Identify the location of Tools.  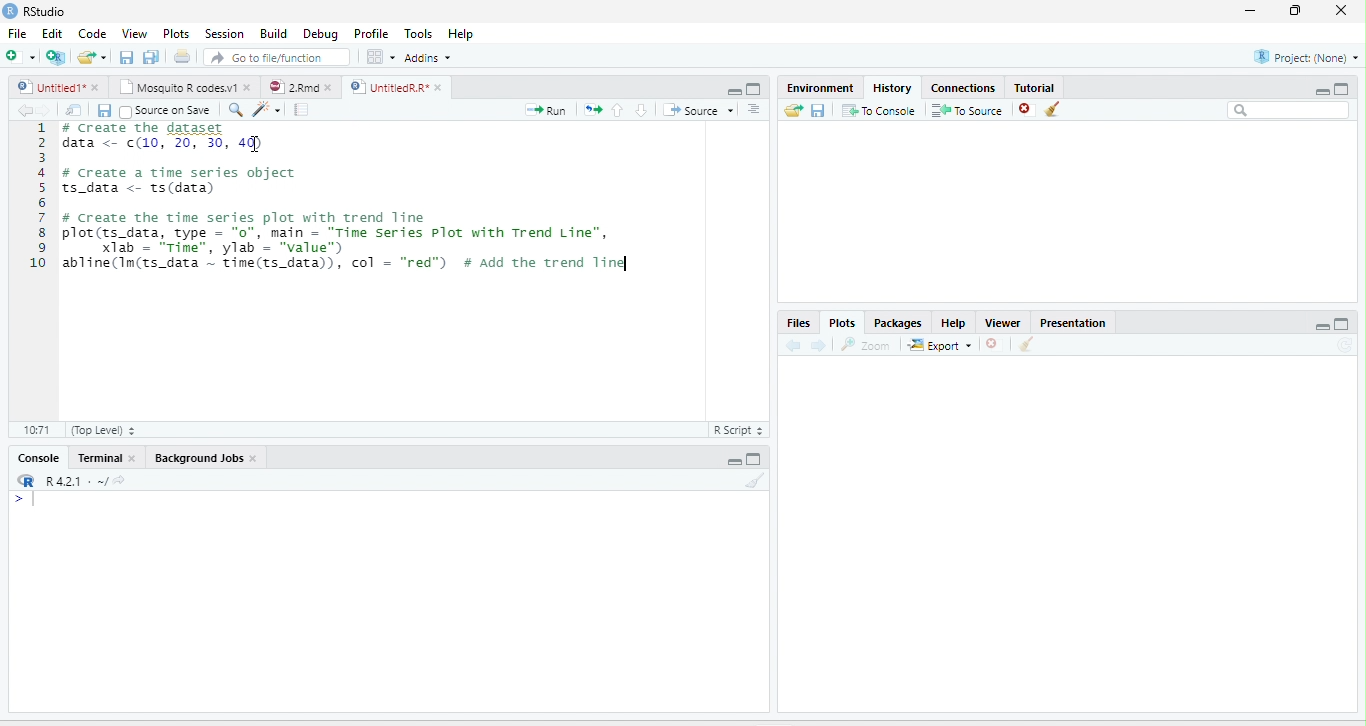
(417, 33).